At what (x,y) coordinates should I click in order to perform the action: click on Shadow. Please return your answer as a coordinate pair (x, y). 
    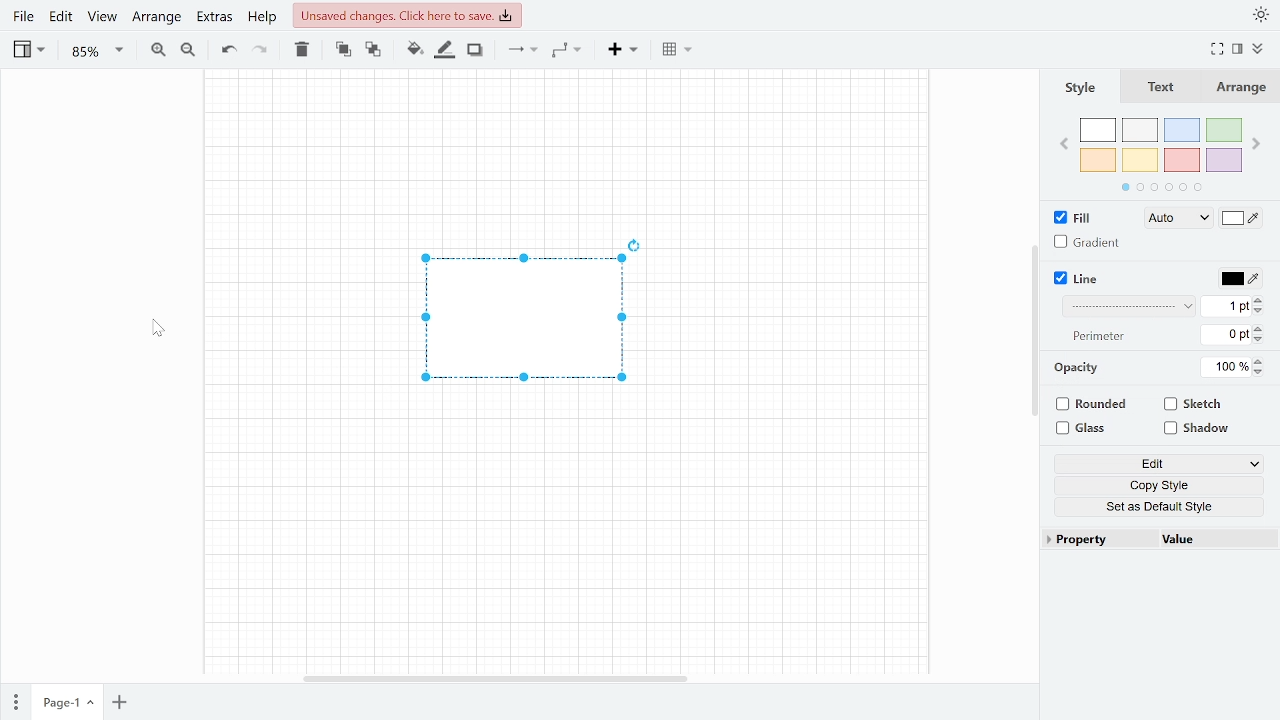
    Looking at the image, I should click on (475, 50).